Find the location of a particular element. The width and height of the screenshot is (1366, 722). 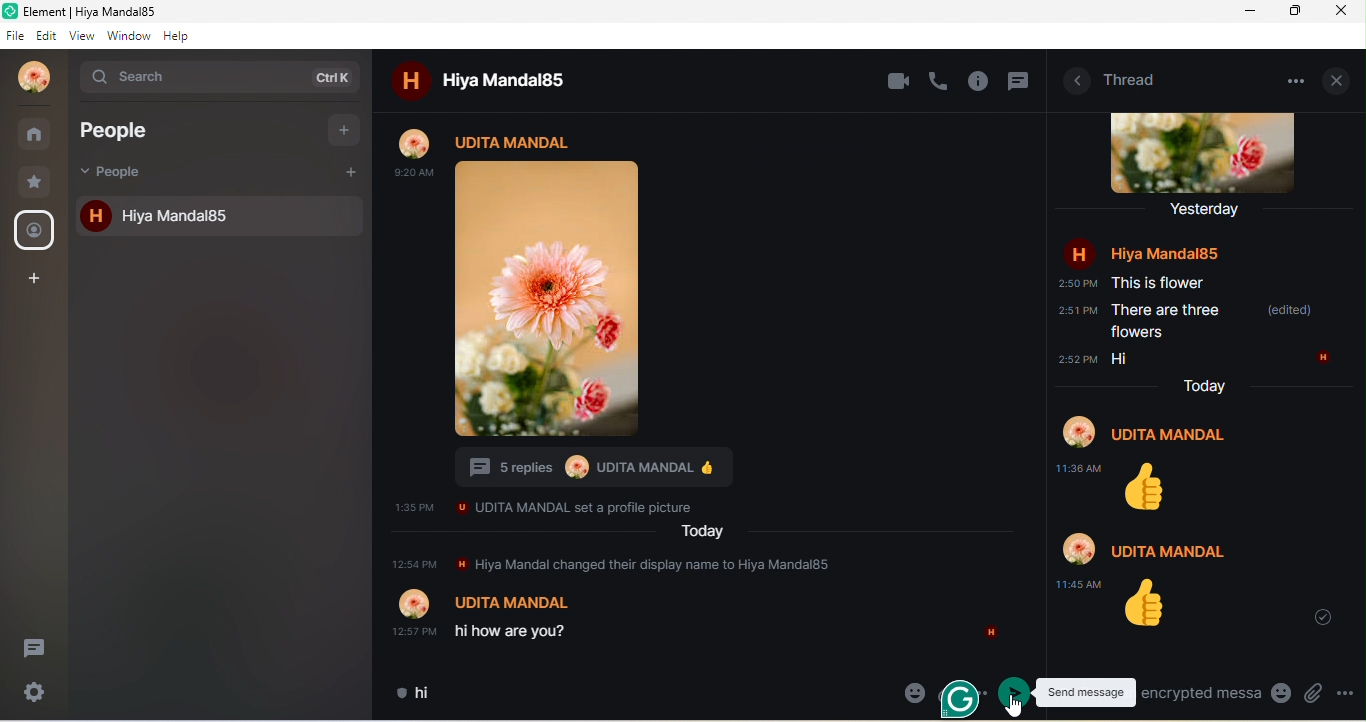

H is located at coordinates (1081, 252).